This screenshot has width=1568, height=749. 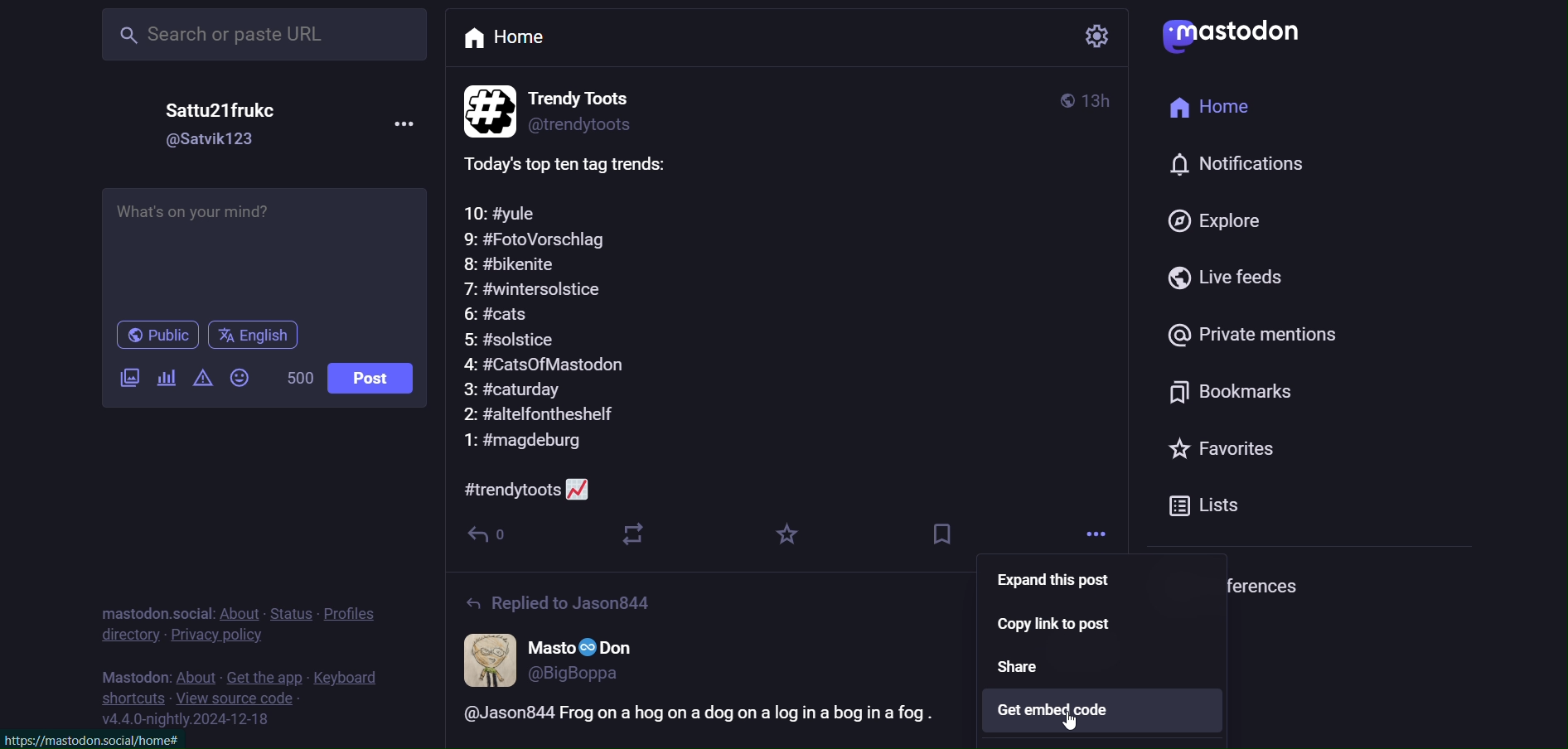 What do you see at coordinates (206, 111) in the screenshot?
I see `username` at bounding box center [206, 111].